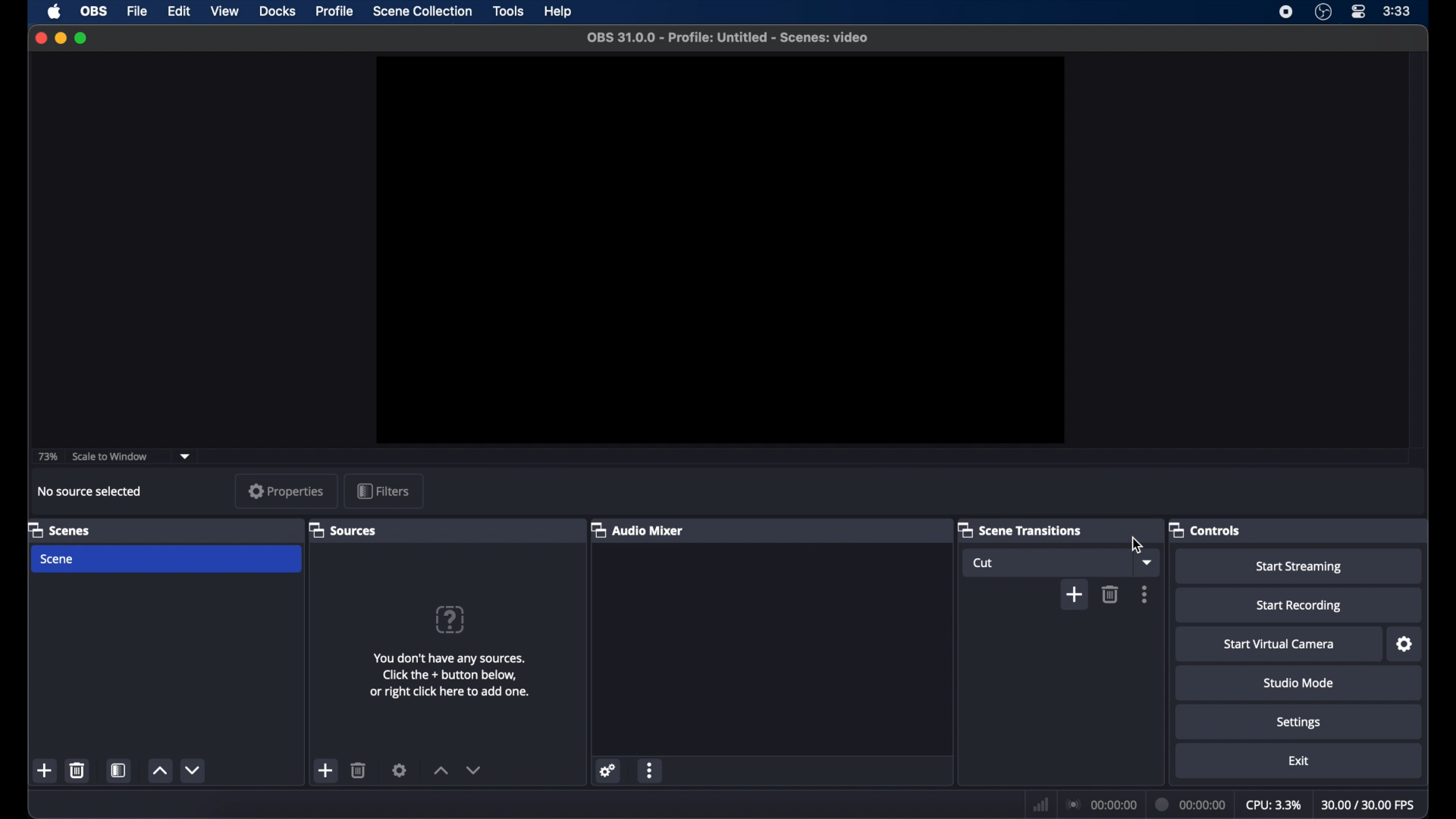 This screenshot has width=1456, height=819. I want to click on increment, so click(440, 771).